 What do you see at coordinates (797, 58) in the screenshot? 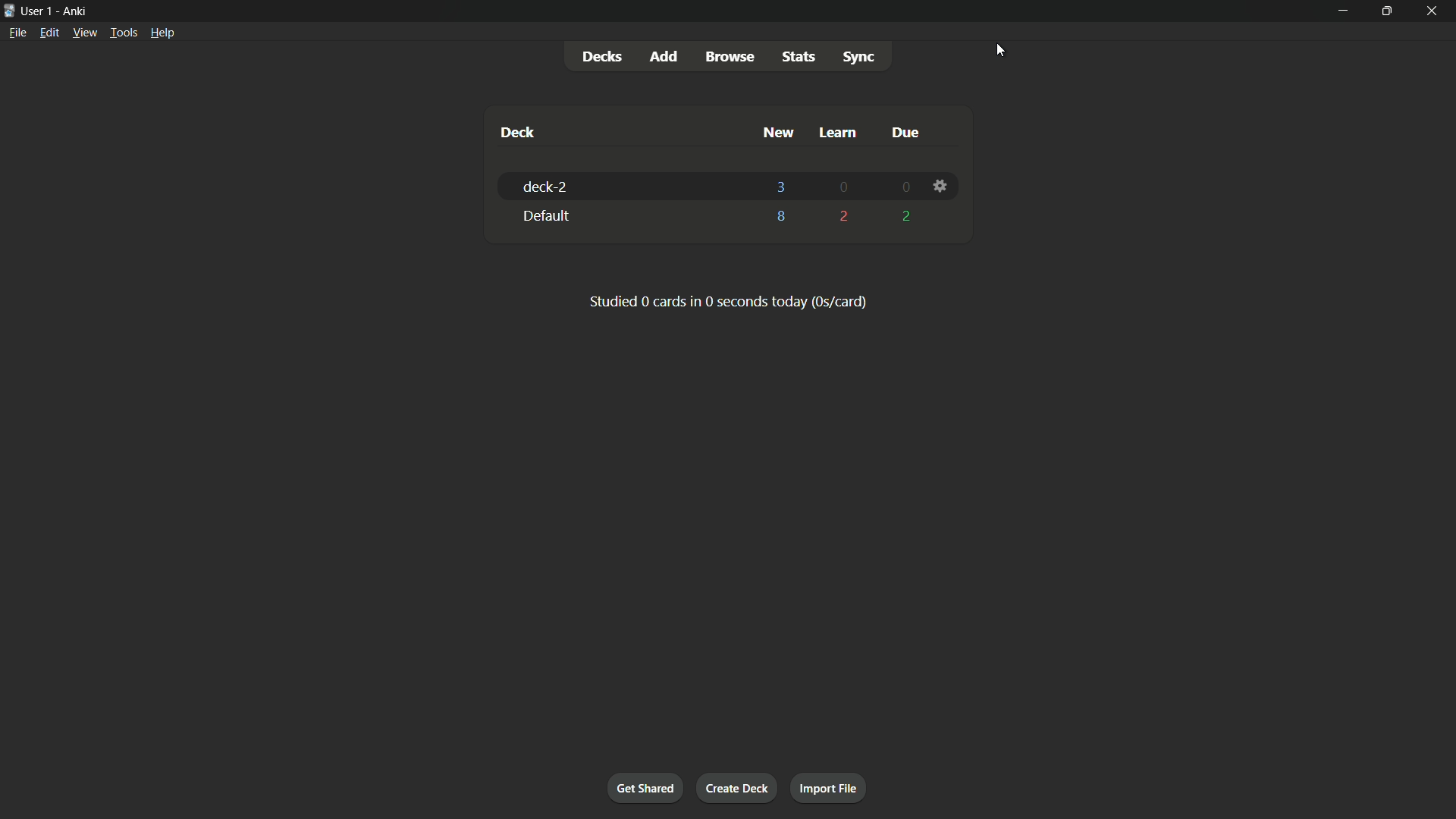
I see `stats` at bounding box center [797, 58].